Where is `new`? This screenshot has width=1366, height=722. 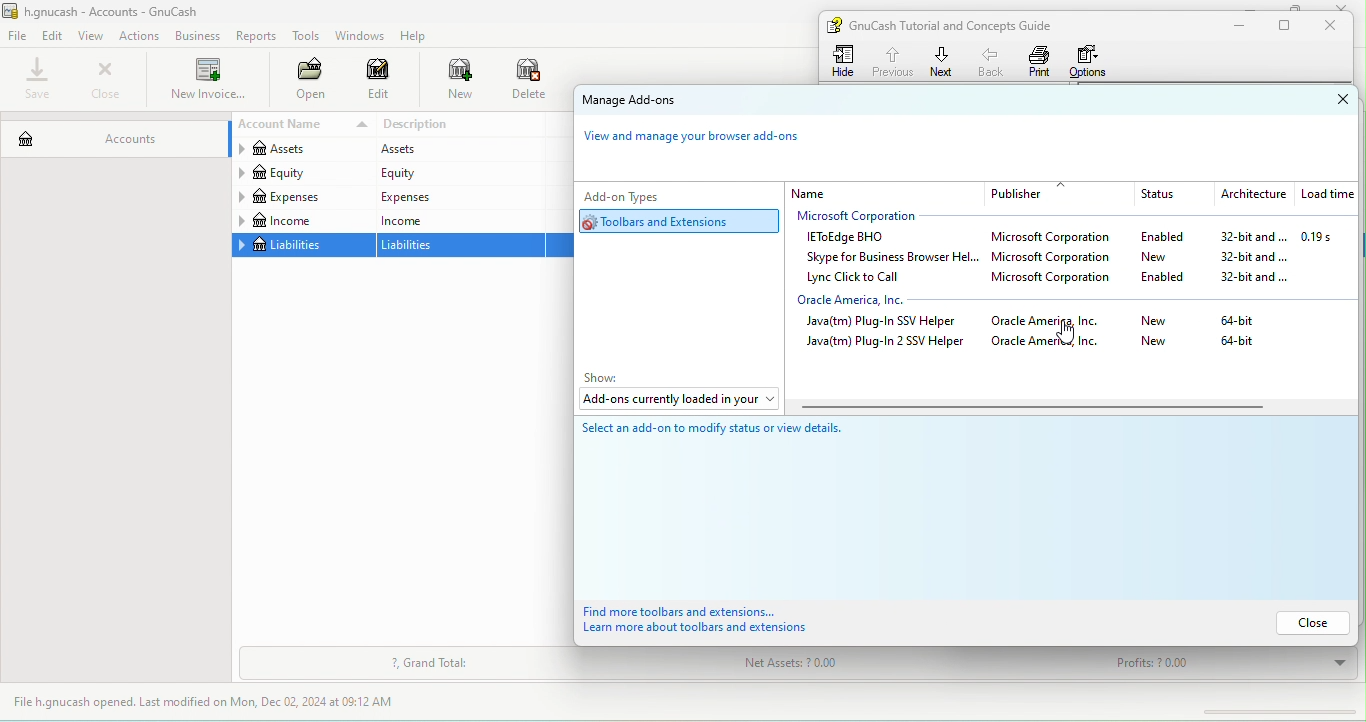 new is located at coordinates (1154, 322).